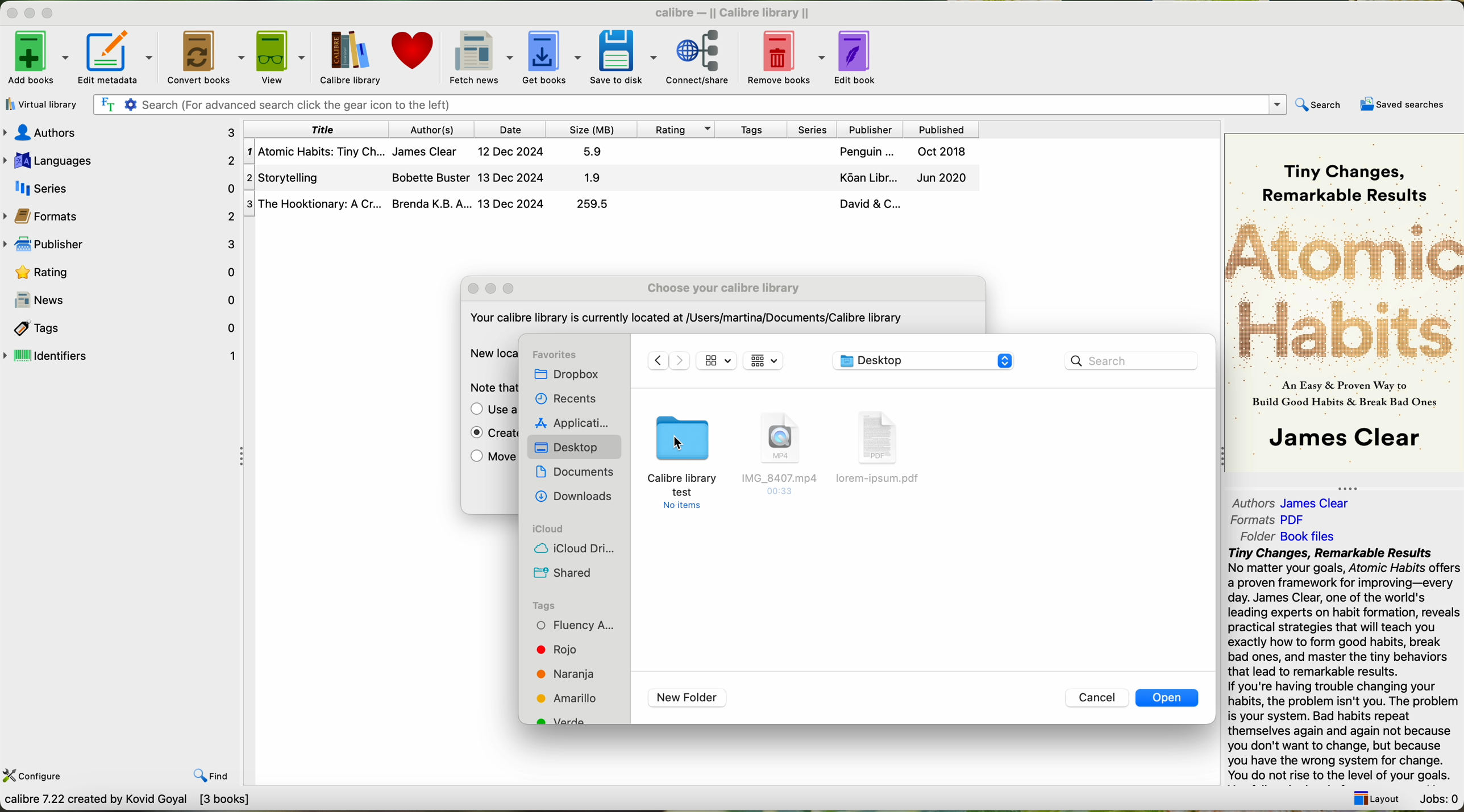 This screenshot has height=812, width=1464. What do you see at coordinates (1168, 698) in the screenshot?
I see `open button` at bounding box center [1168, 698].